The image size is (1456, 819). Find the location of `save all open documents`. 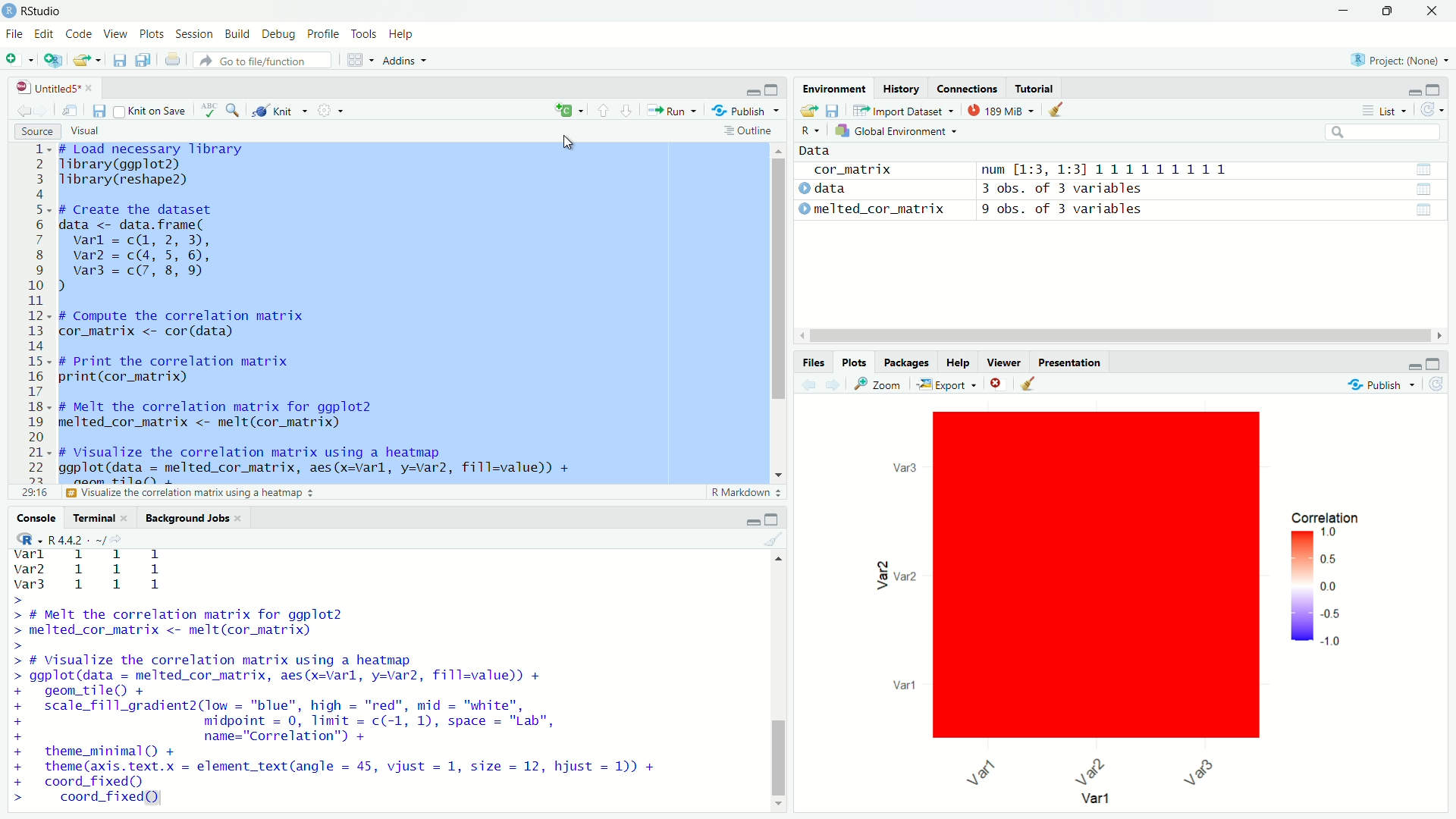

save all open documents is located at coordinates (146, 59).